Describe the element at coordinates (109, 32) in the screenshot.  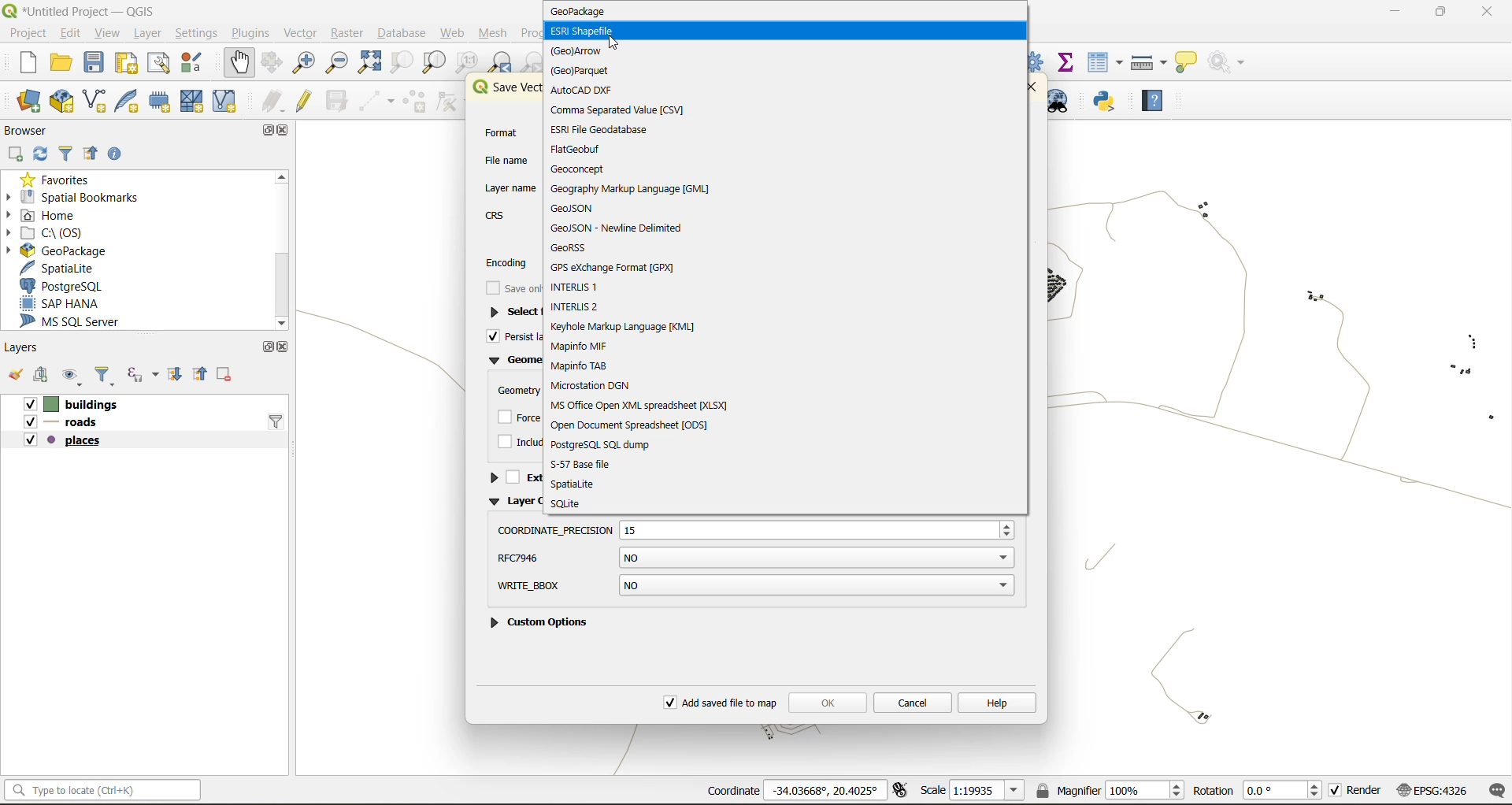
I see `view` at that location.